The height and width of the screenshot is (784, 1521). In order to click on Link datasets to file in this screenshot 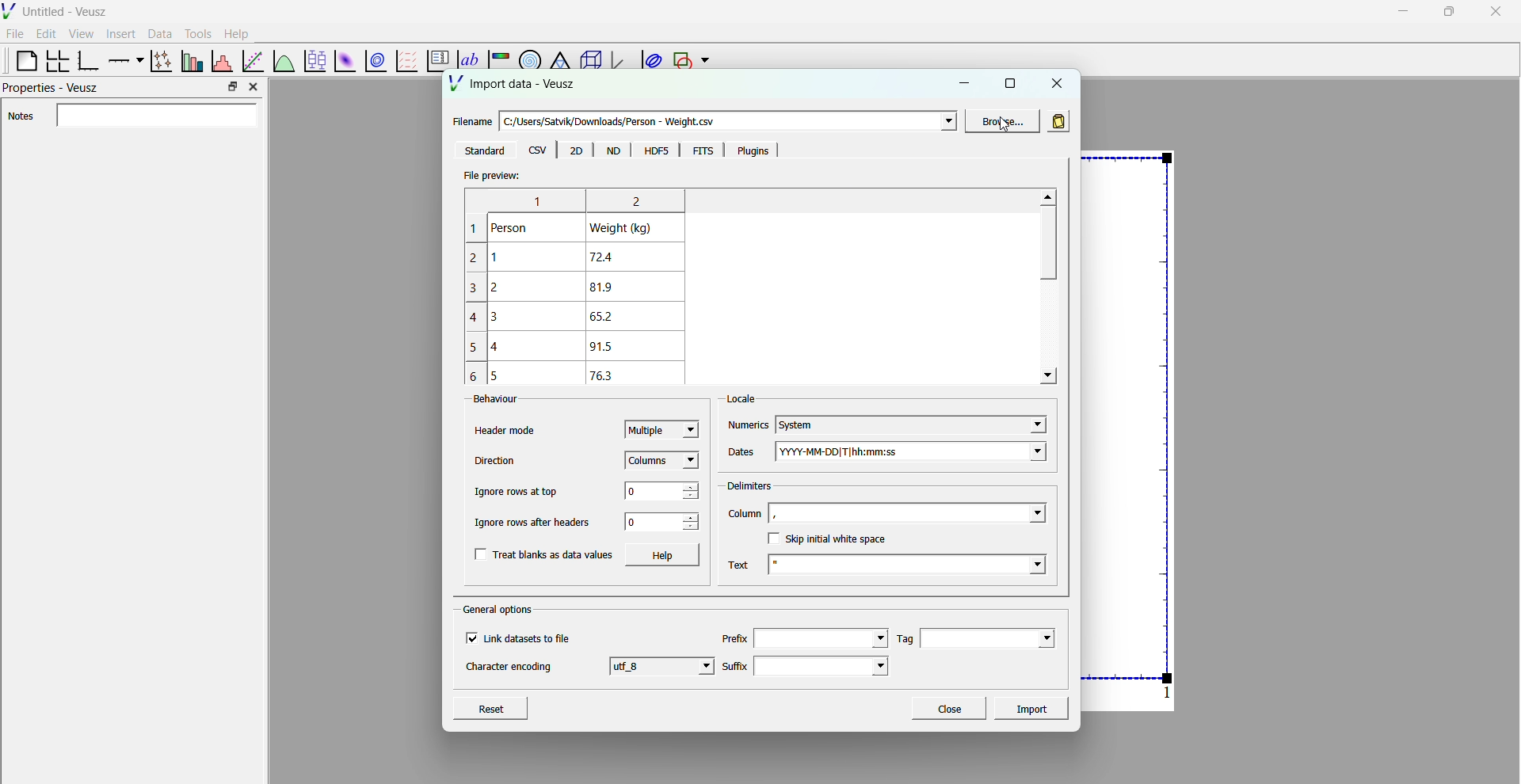, I will do `click(524, 638)`.